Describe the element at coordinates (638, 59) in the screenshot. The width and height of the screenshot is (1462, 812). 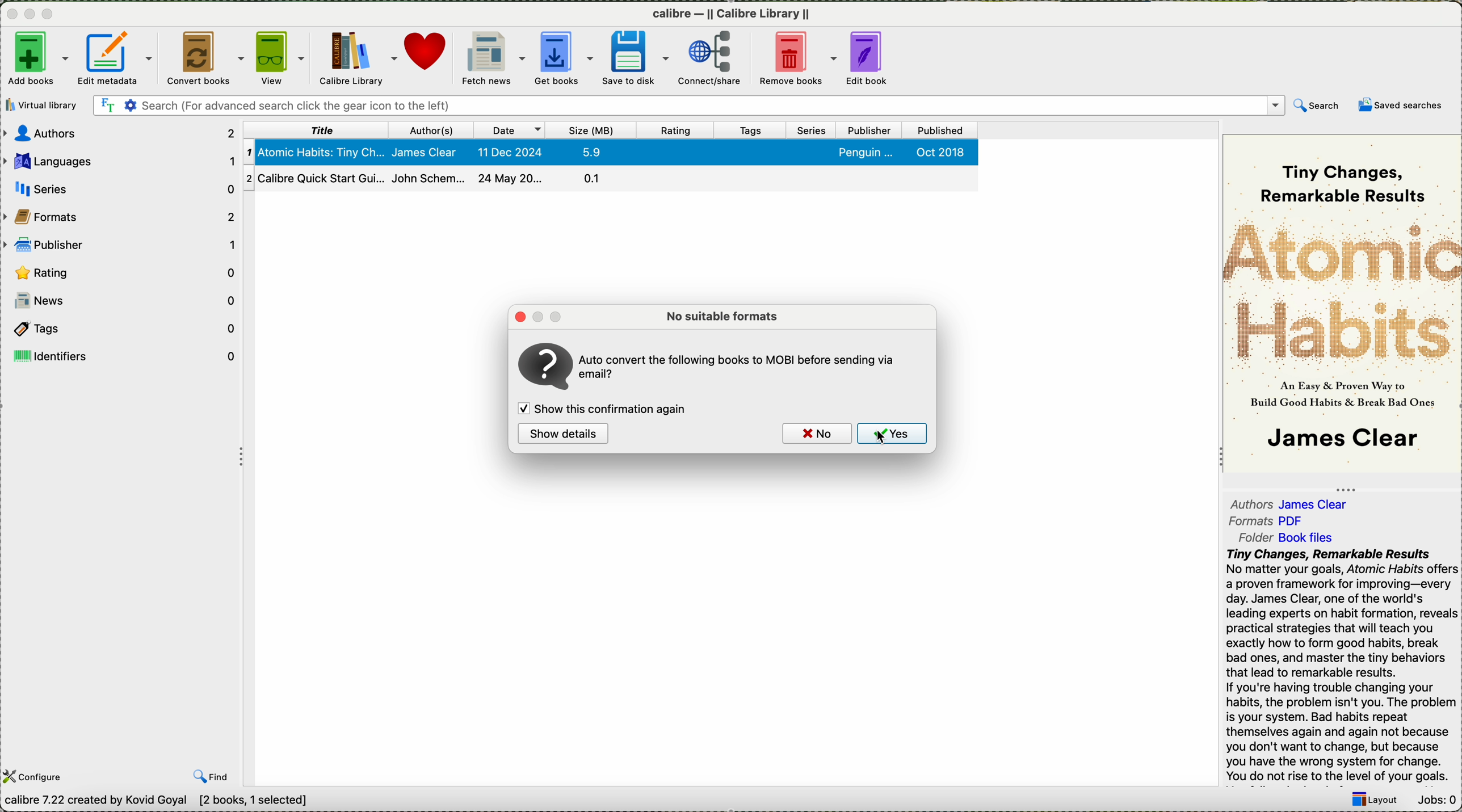
I see `save to disk` at that location.